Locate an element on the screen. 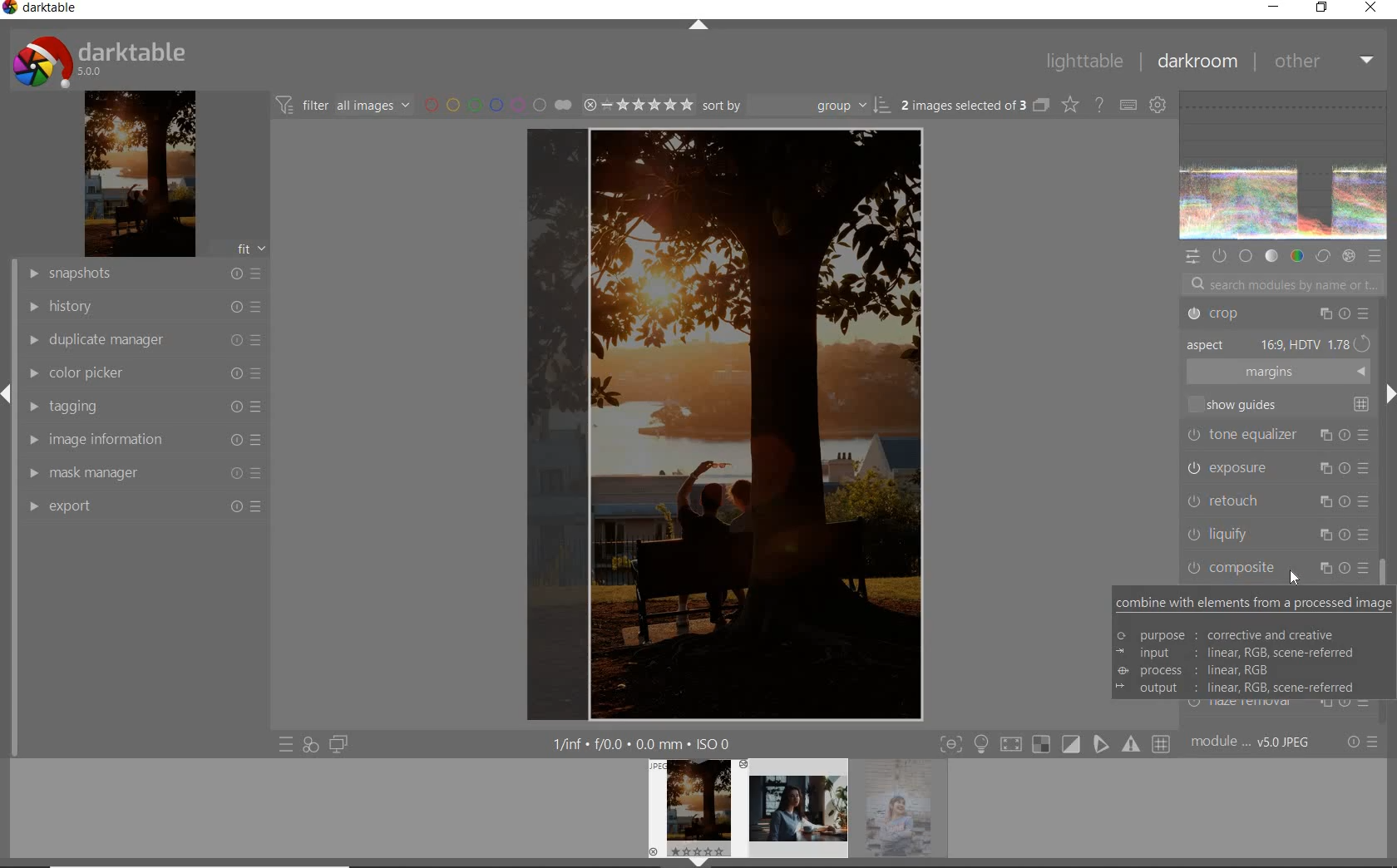  liquify is located at coordinates (1279, 536).